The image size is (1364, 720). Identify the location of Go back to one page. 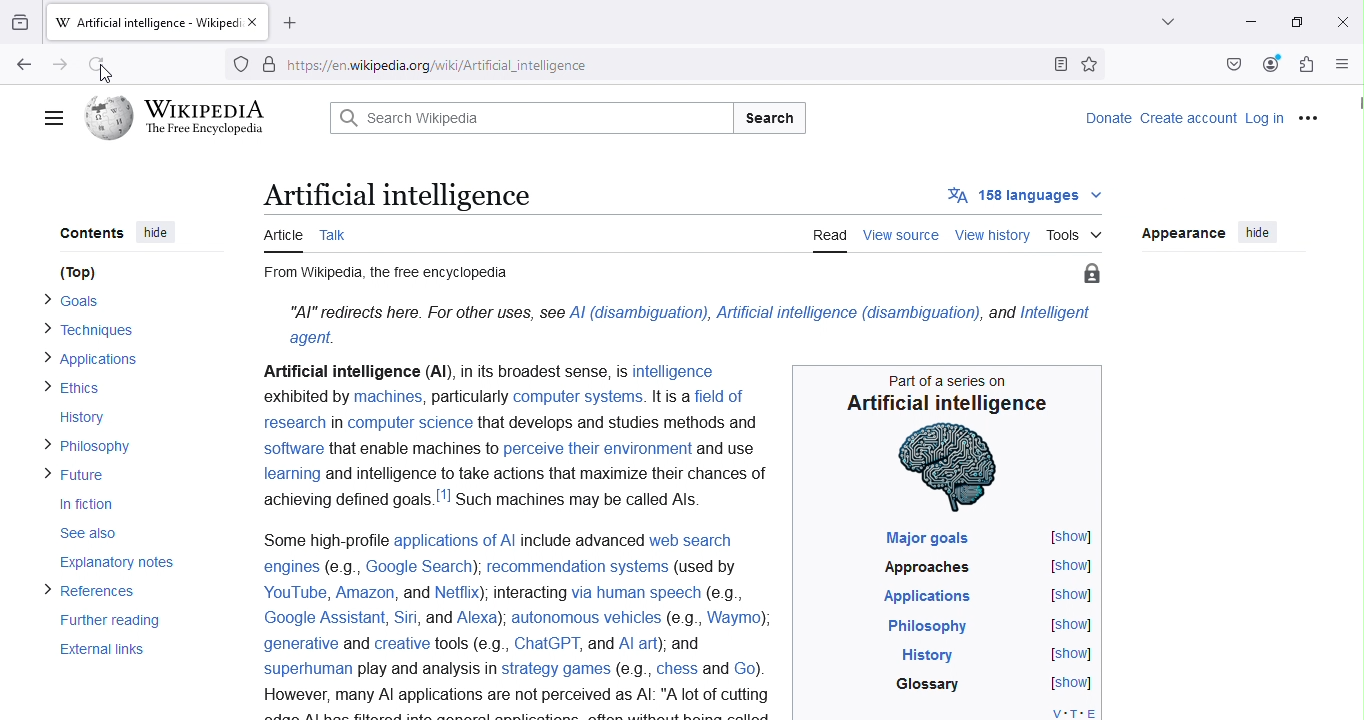
(27, 67).